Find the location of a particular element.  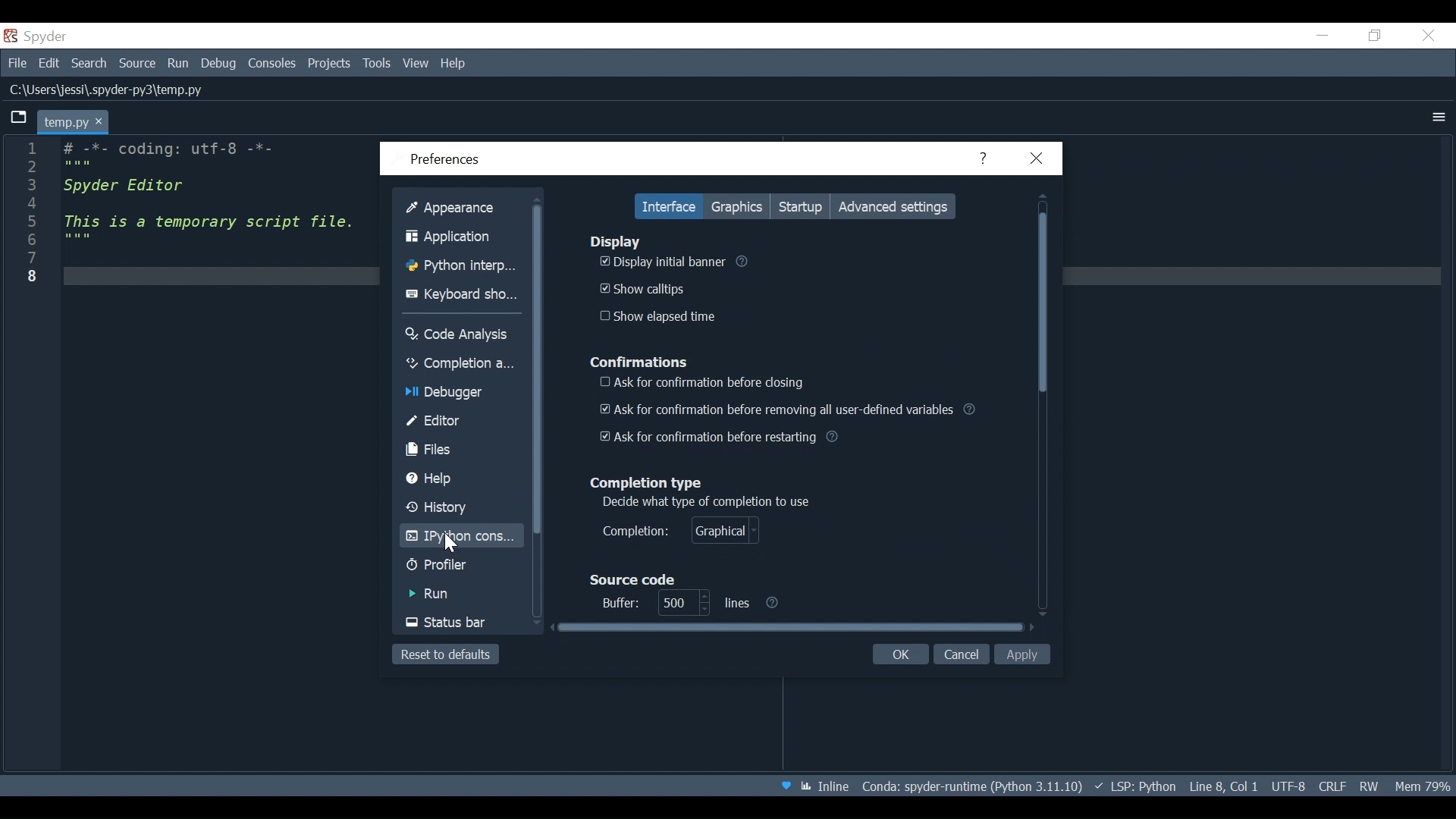

Help is located at coordinates (451, 479).